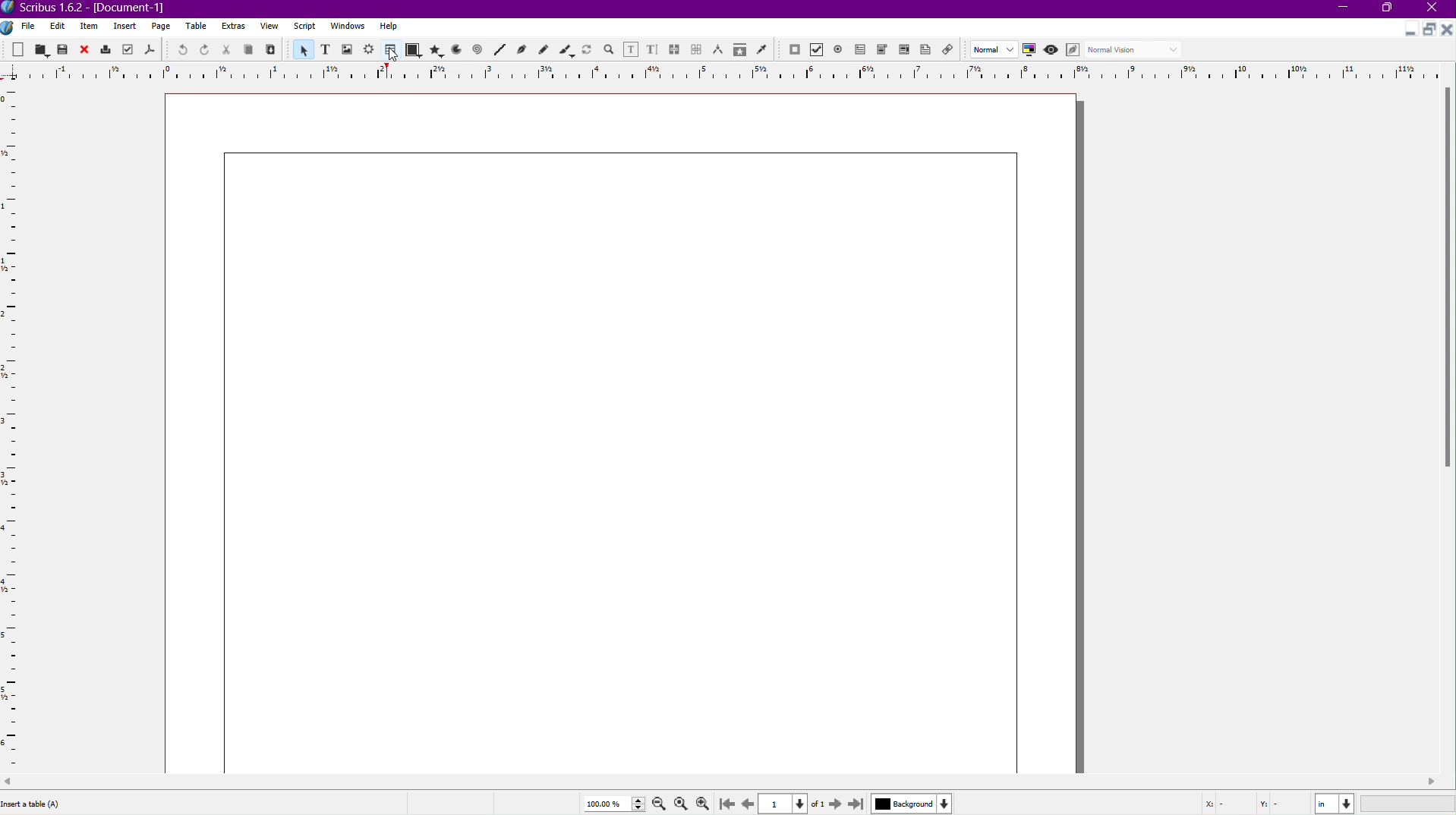  What do you see at coordinates (761, 49) in the screenshot?
I see `Eye Dropper` at bounding box center [761, 49].